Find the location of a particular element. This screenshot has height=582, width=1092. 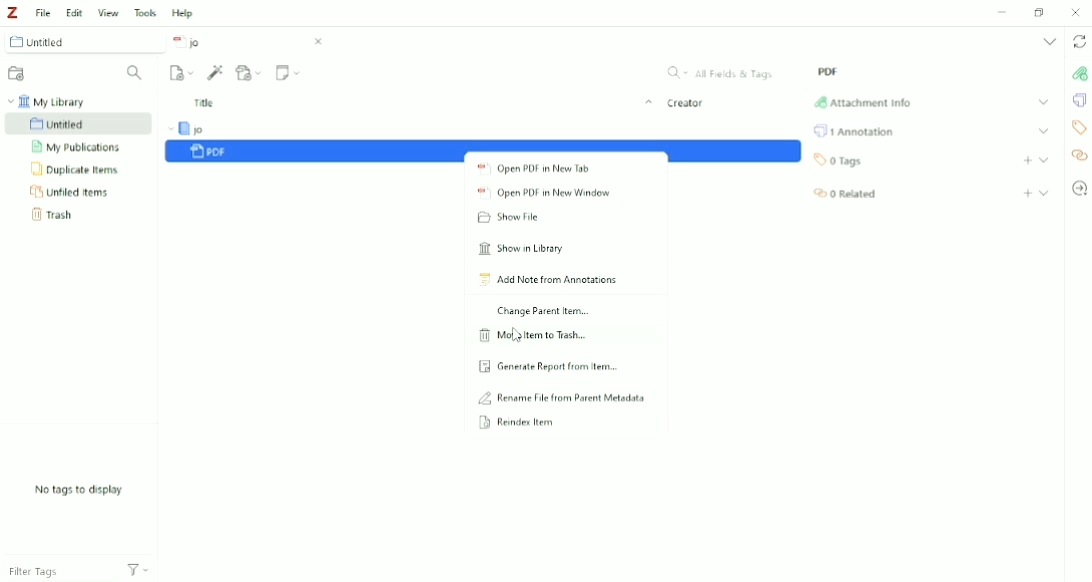

Untitled is located at coordinates (83, 42).